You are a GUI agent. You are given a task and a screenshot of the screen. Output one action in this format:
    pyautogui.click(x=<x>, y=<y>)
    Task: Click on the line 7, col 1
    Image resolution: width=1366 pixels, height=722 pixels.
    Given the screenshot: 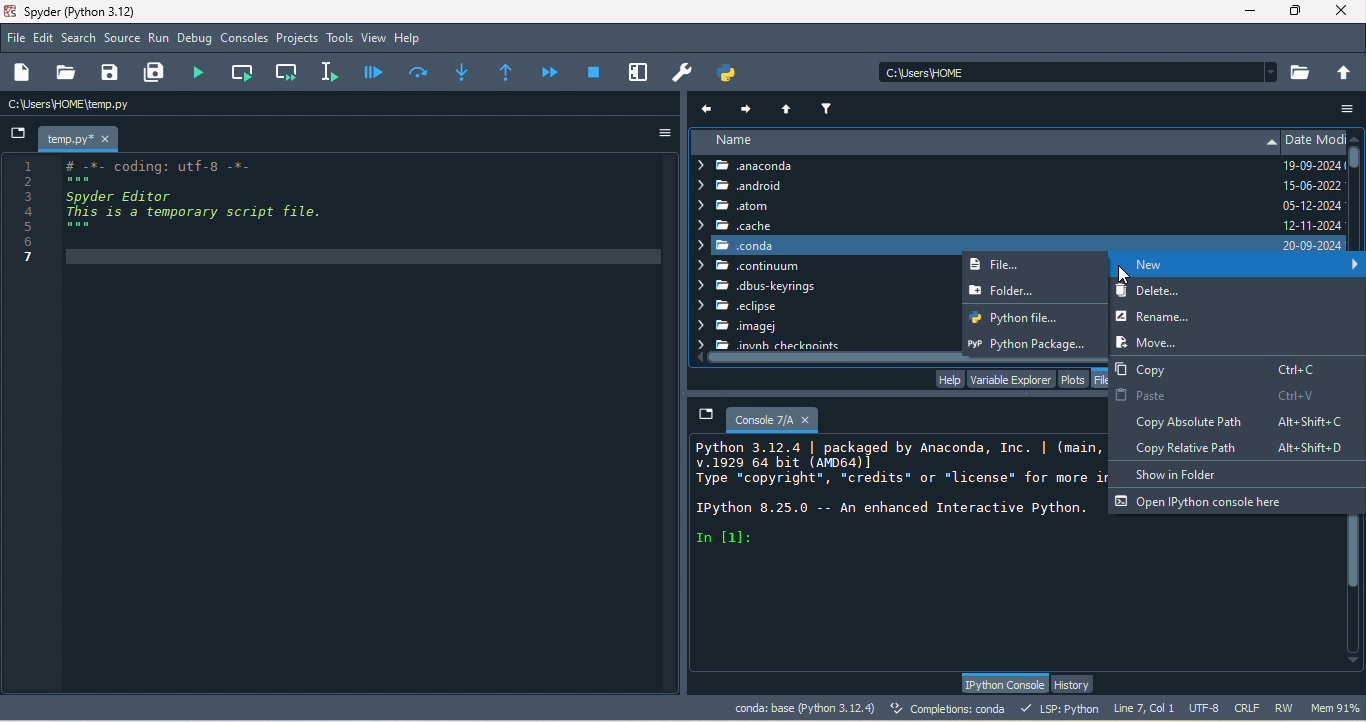 What is the action you would take?
    pyautogui.click(x=1144, y=707)
    